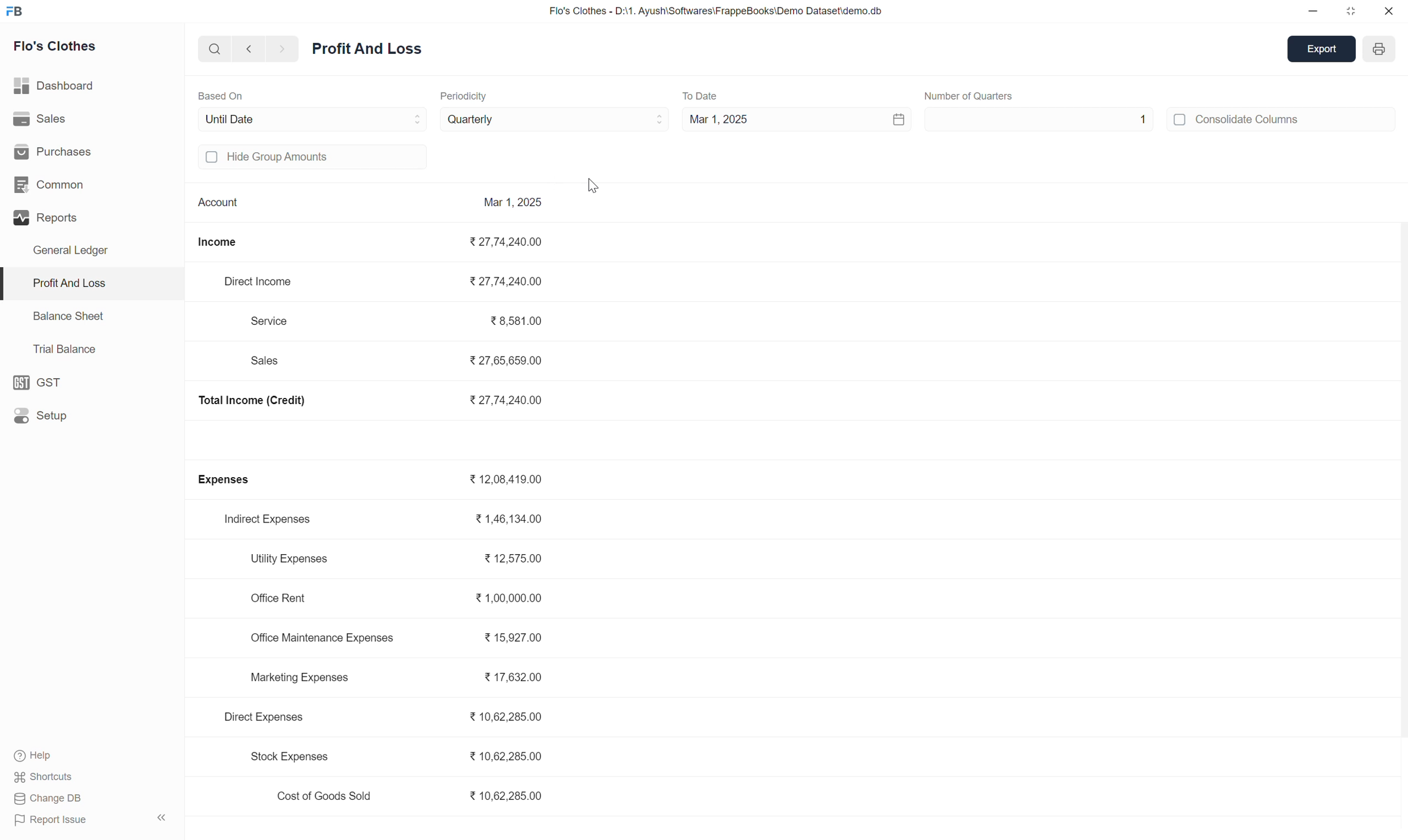  What do you see at coordinates (467, 119) in the screenshot?
I see `Quarterly` at bounding box center [467, 119].